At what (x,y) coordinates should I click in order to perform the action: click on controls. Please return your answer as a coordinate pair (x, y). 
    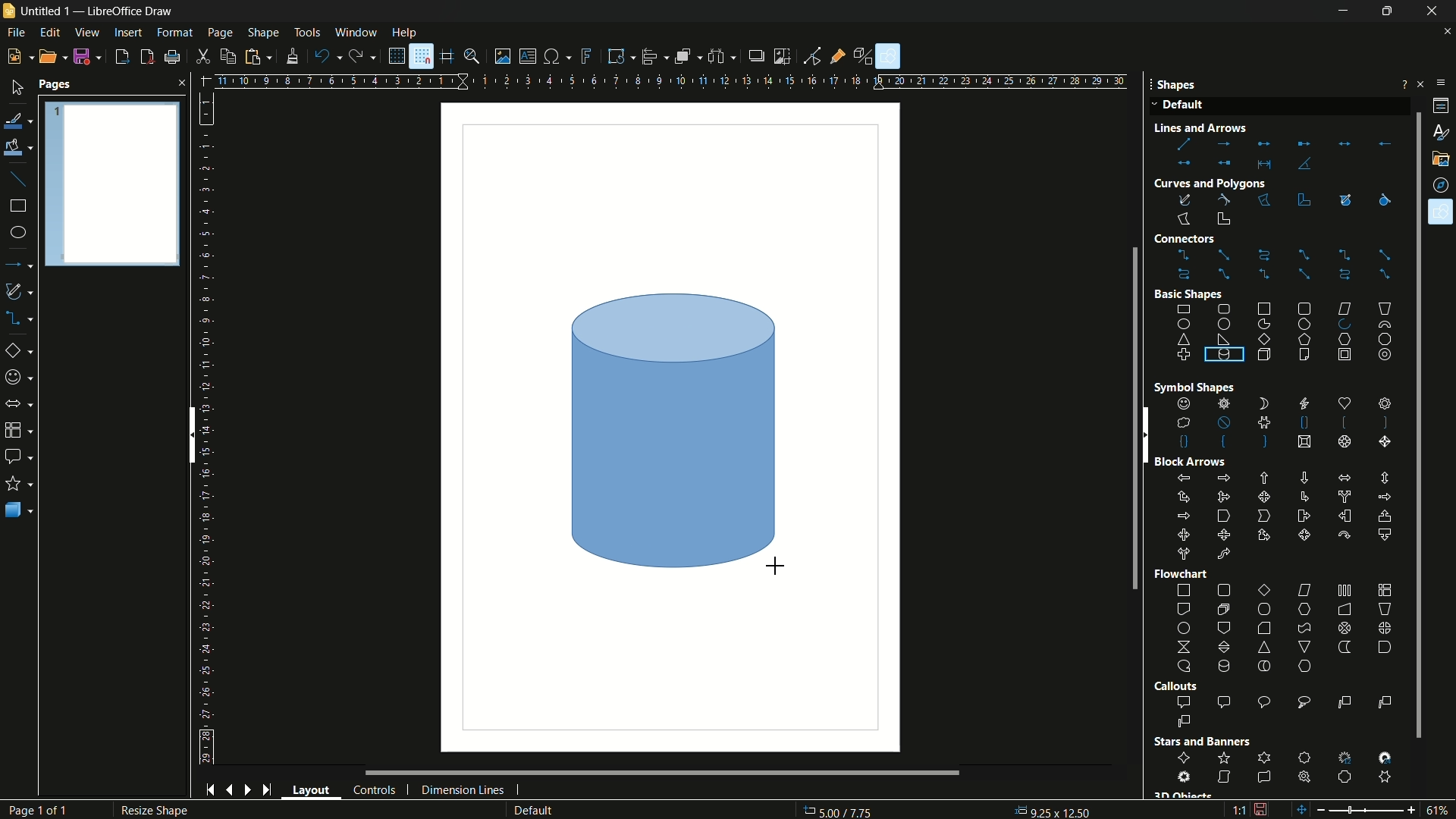
    Looking at the image, I should click on (375, 791).